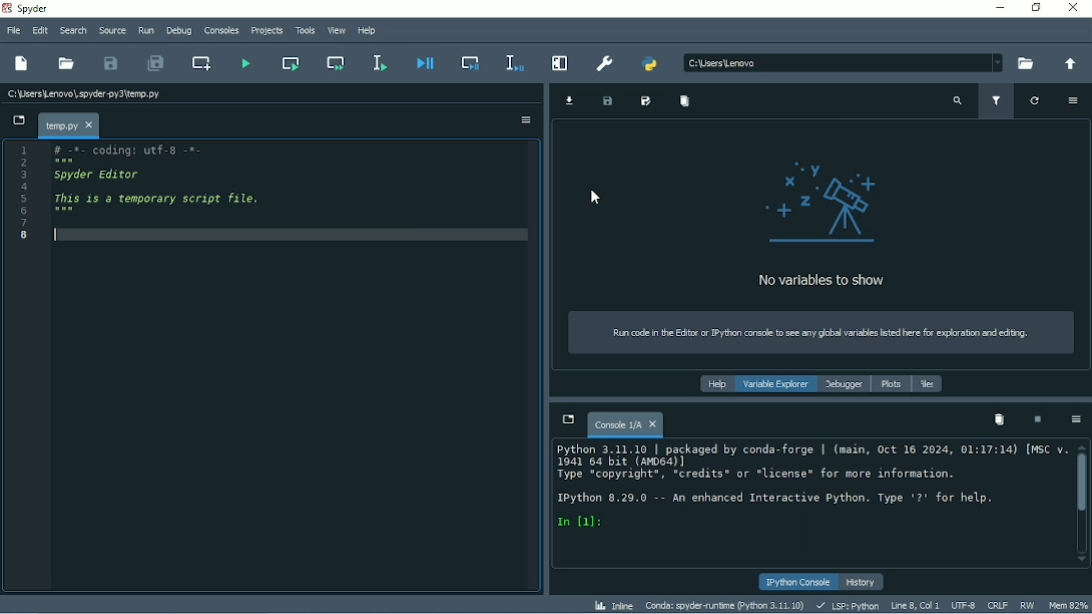 The height and width of the screenshot is (614, 1092). I want to click on File name, so click(67, 125).